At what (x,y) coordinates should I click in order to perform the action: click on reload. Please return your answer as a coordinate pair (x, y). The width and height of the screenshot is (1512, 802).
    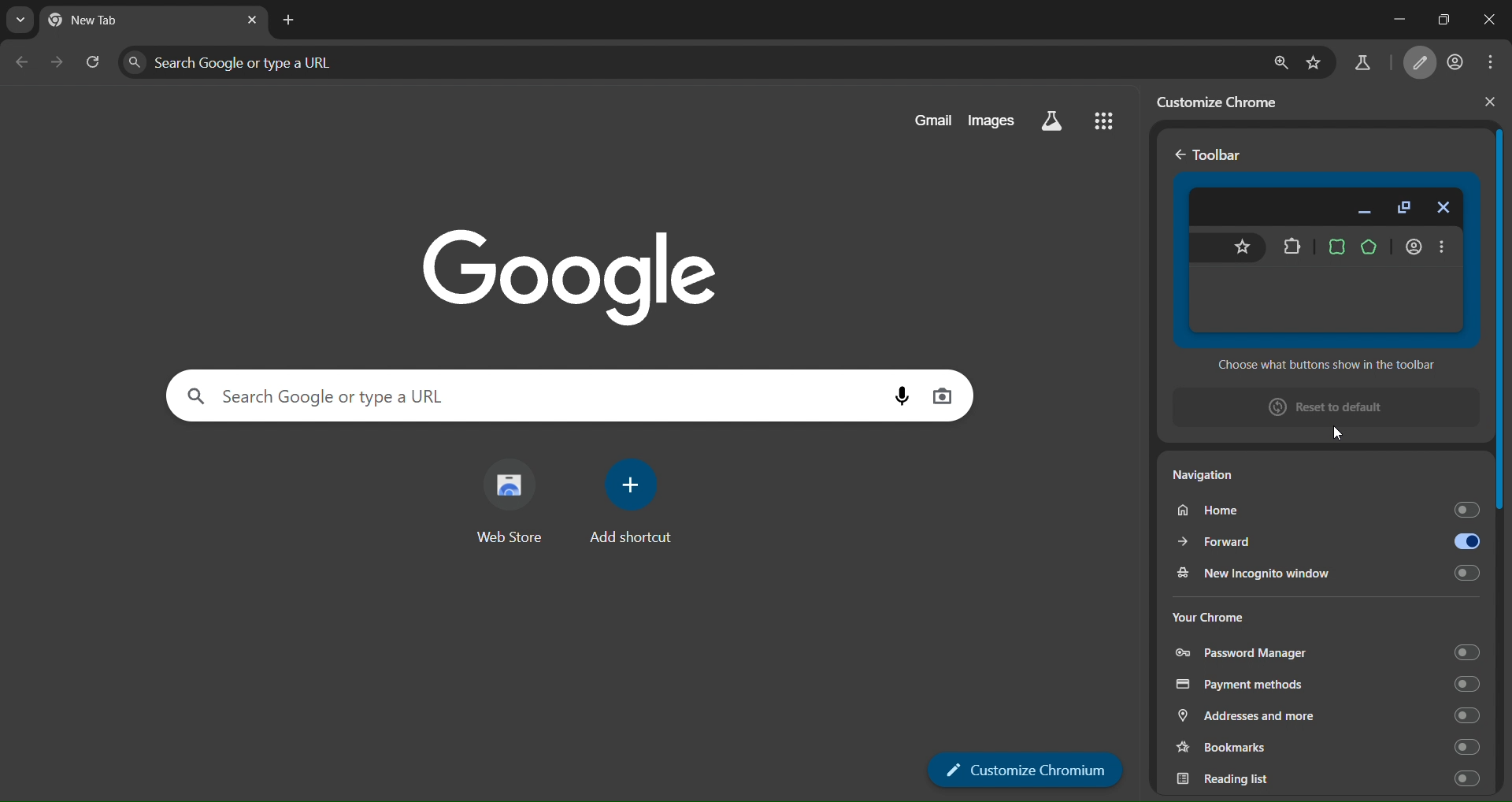
    Looking at the image, I should click on (94, 61).